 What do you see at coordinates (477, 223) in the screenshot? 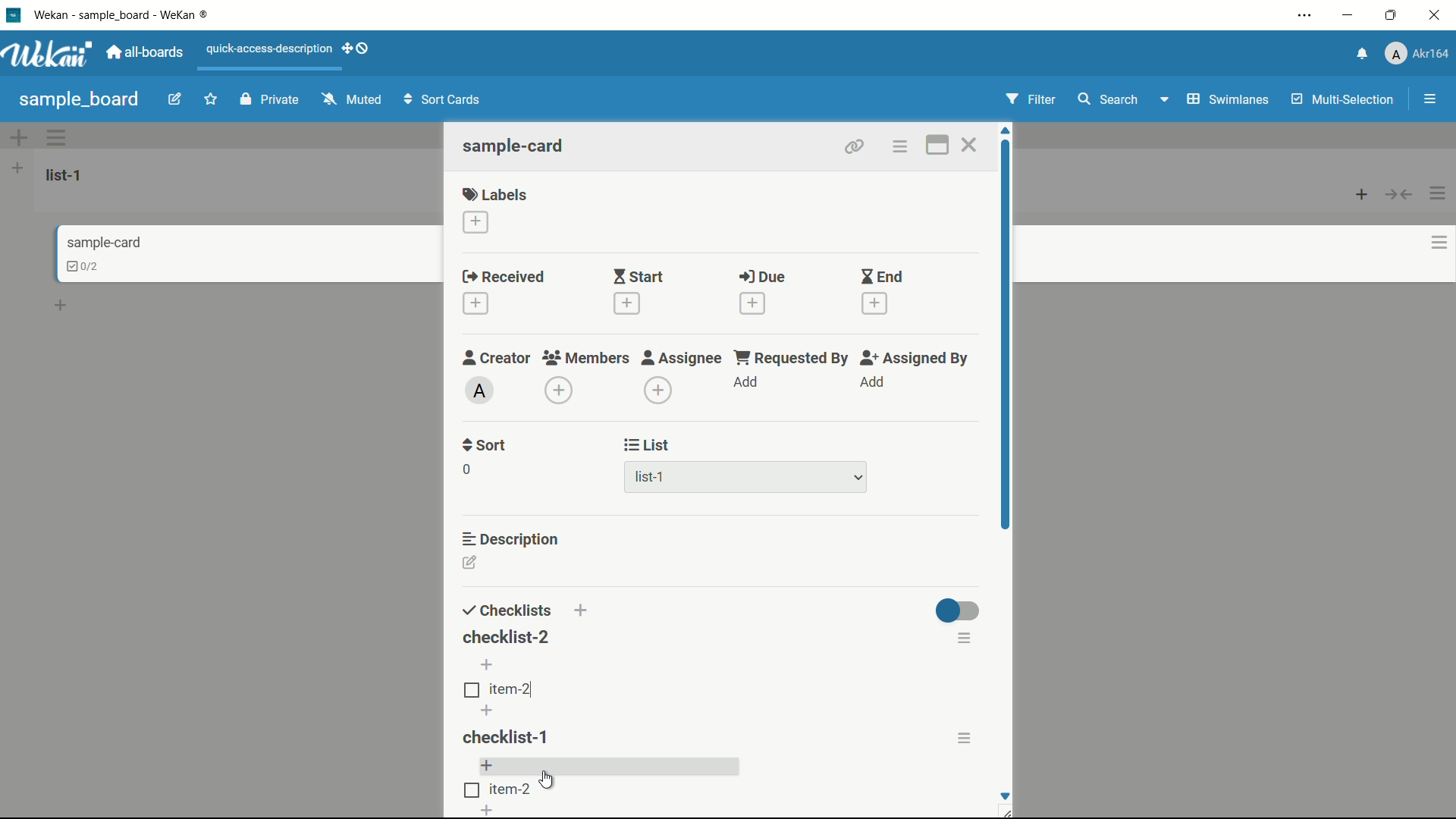
I see `add label` at bounding box center [477, 223].